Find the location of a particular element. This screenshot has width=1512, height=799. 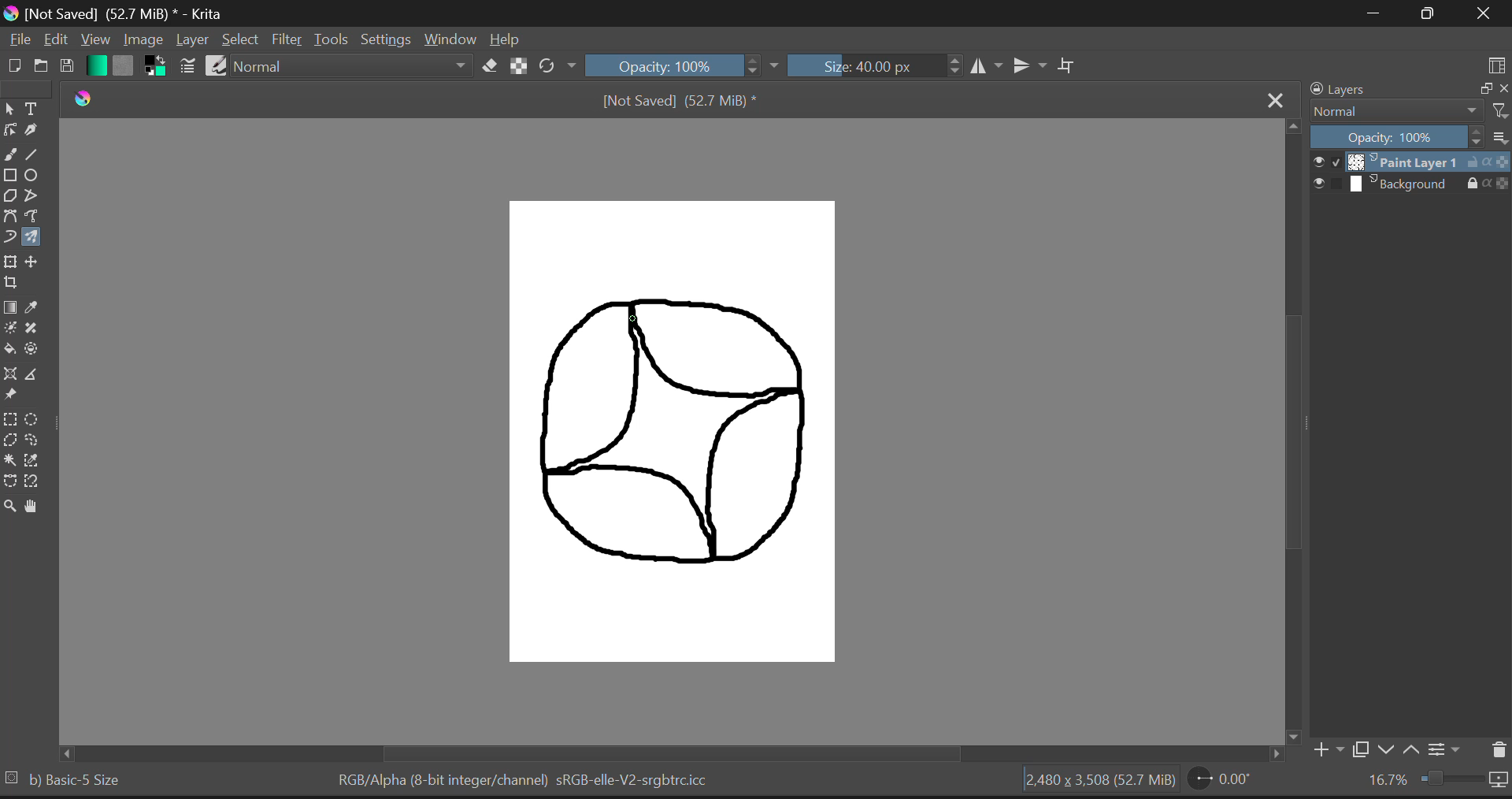

Add Layer is located at coordinates (1327, 749).